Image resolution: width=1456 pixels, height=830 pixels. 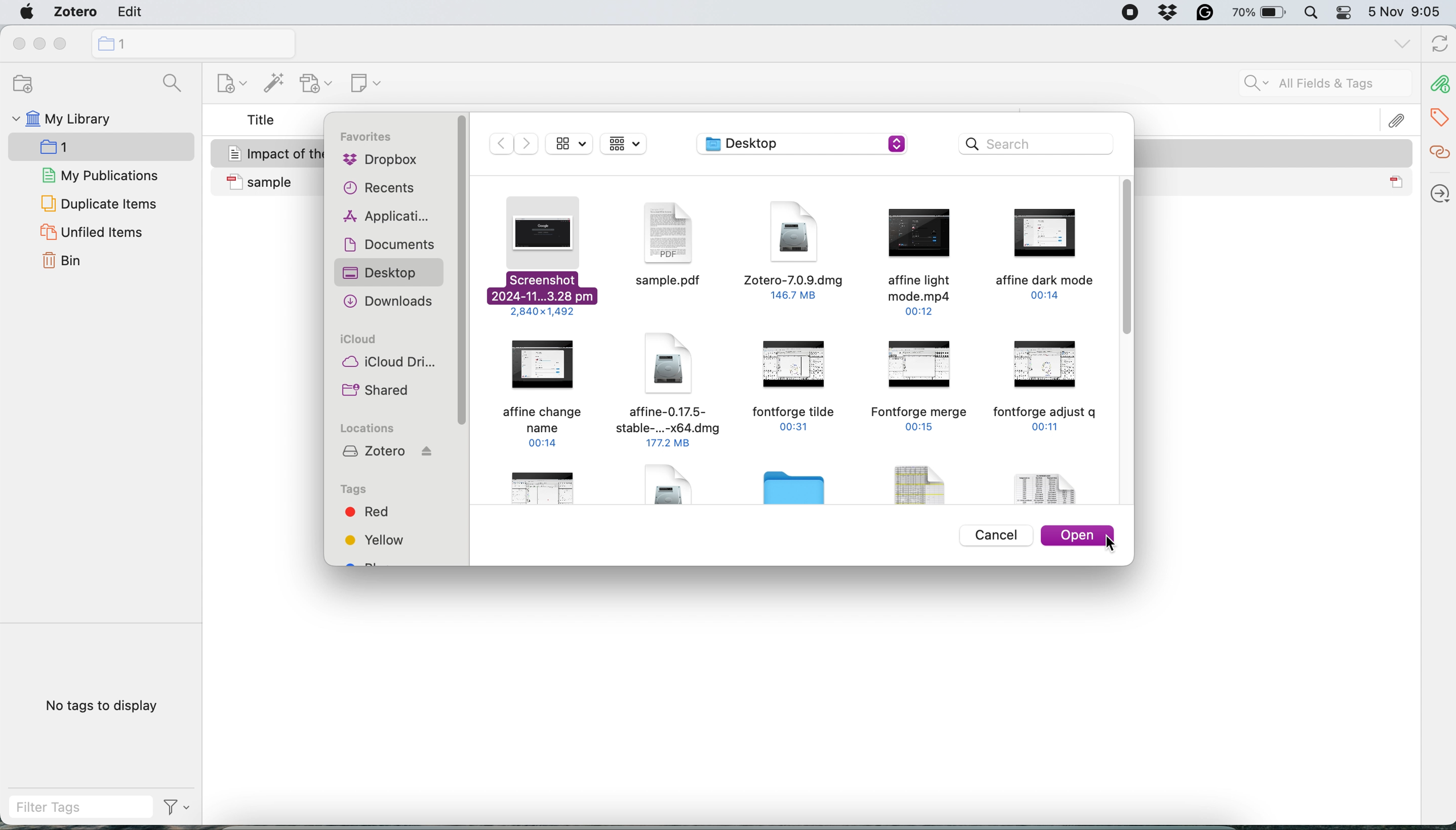 I want to click on icloud, so click(x=359, y=341).